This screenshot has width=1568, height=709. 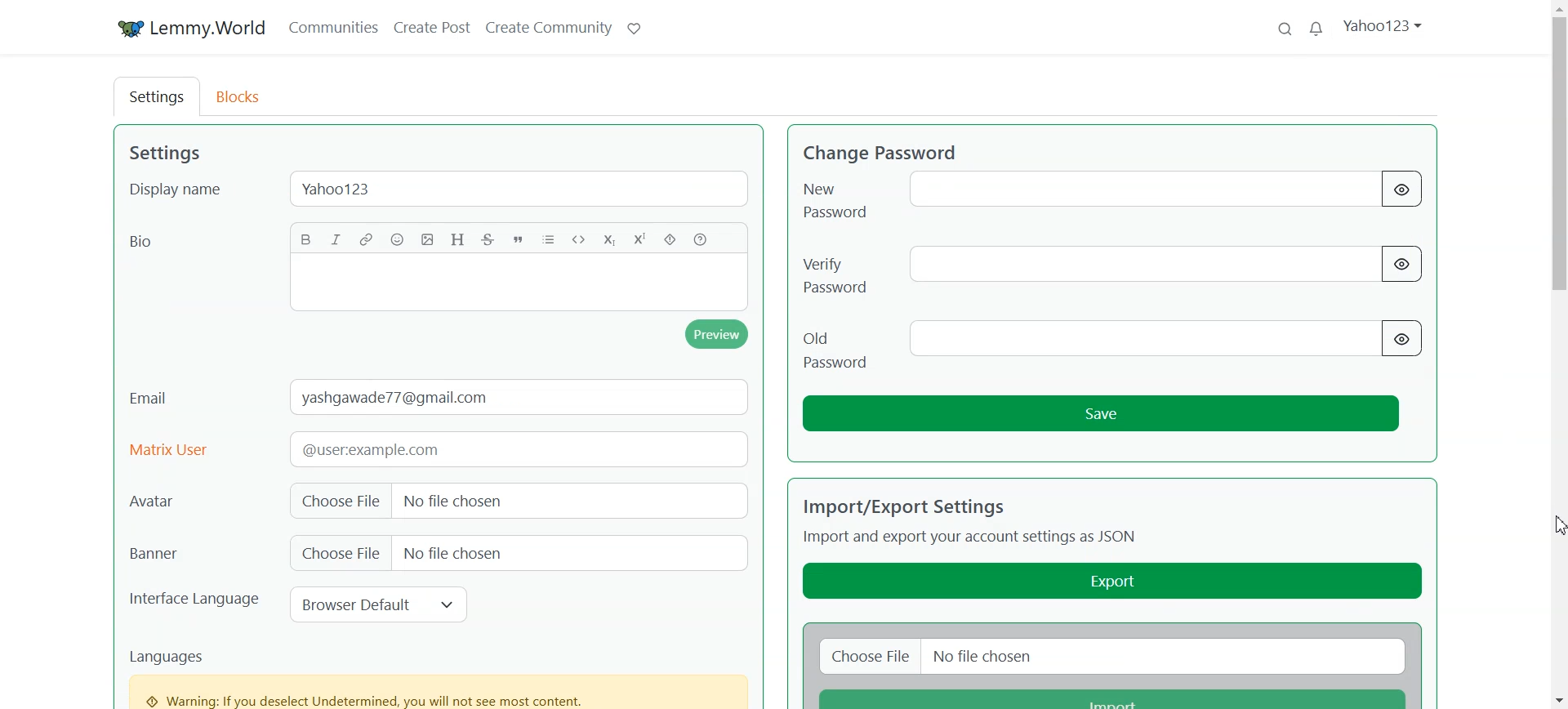 I want to click on @user:example.com, so click(x=511, y=448).